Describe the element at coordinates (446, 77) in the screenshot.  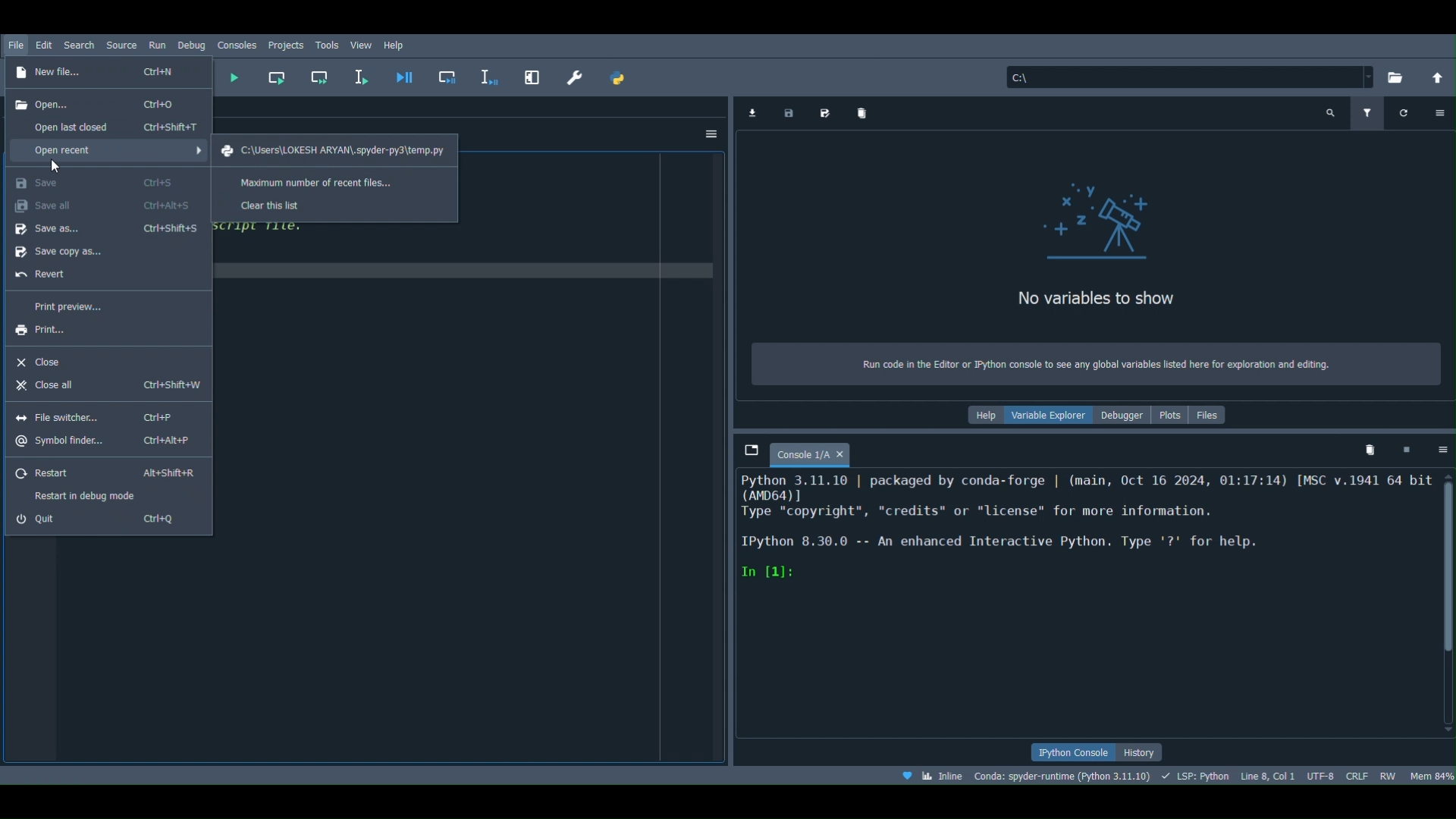
I see `Debug cell` at that location.